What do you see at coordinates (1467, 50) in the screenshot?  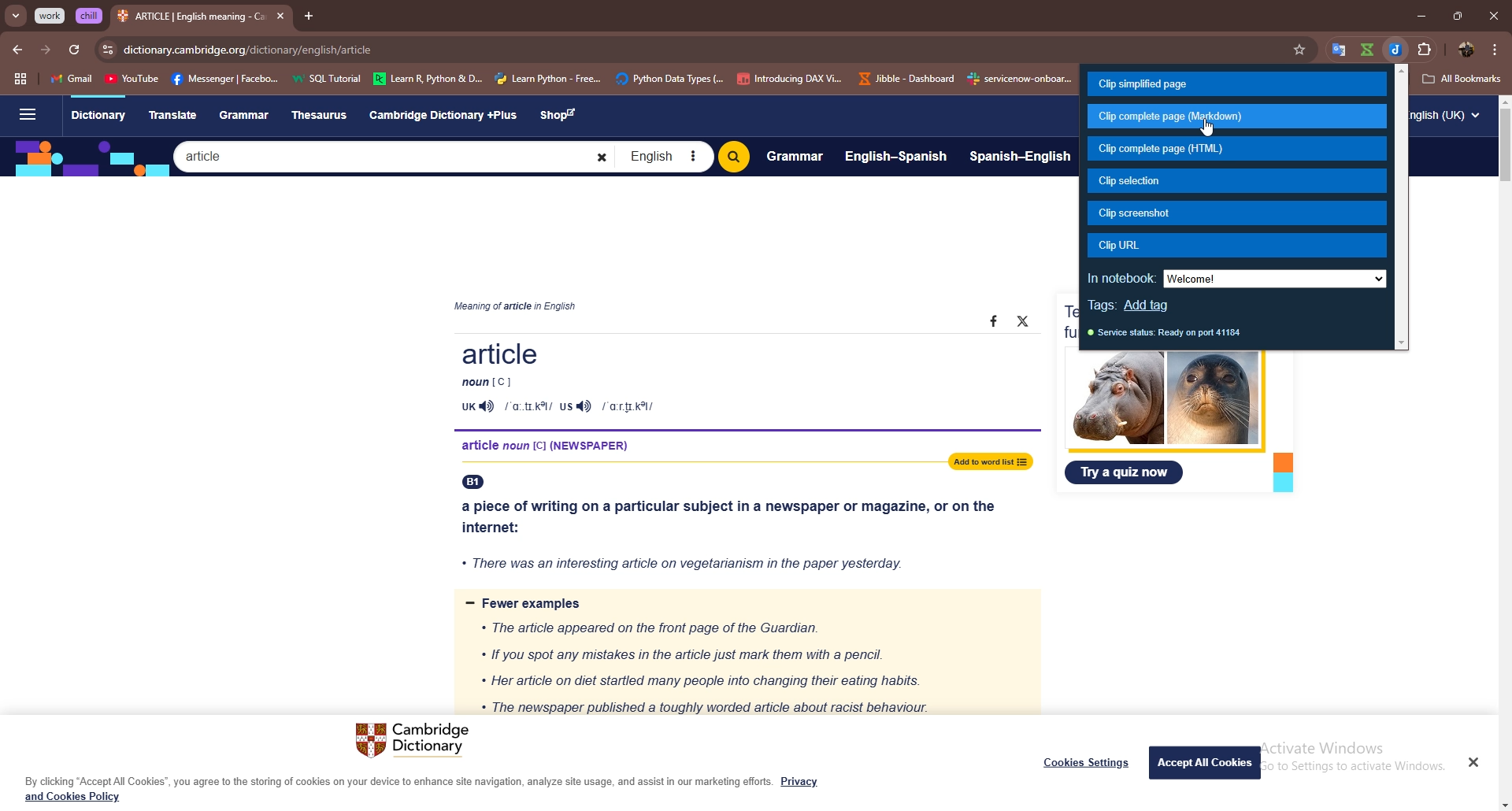 I see `profile` at bounding box center [1467, 50].